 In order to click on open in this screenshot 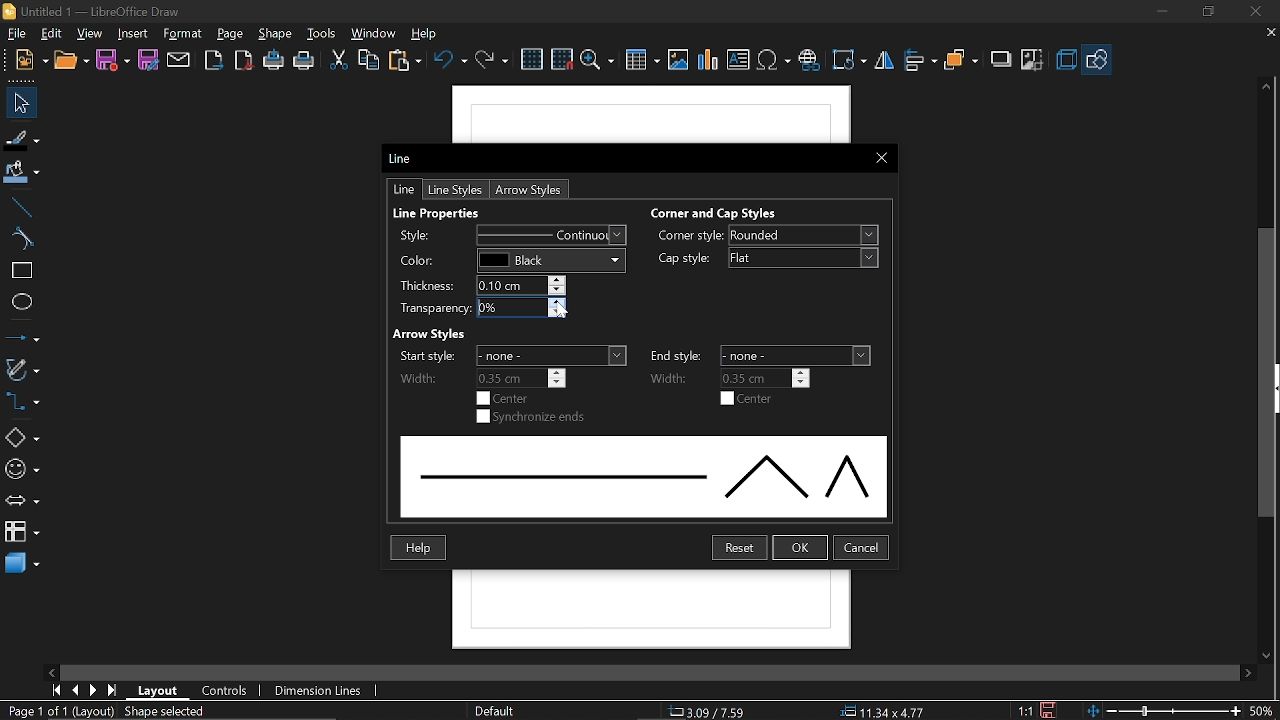, I will do `click(72, 58)`.